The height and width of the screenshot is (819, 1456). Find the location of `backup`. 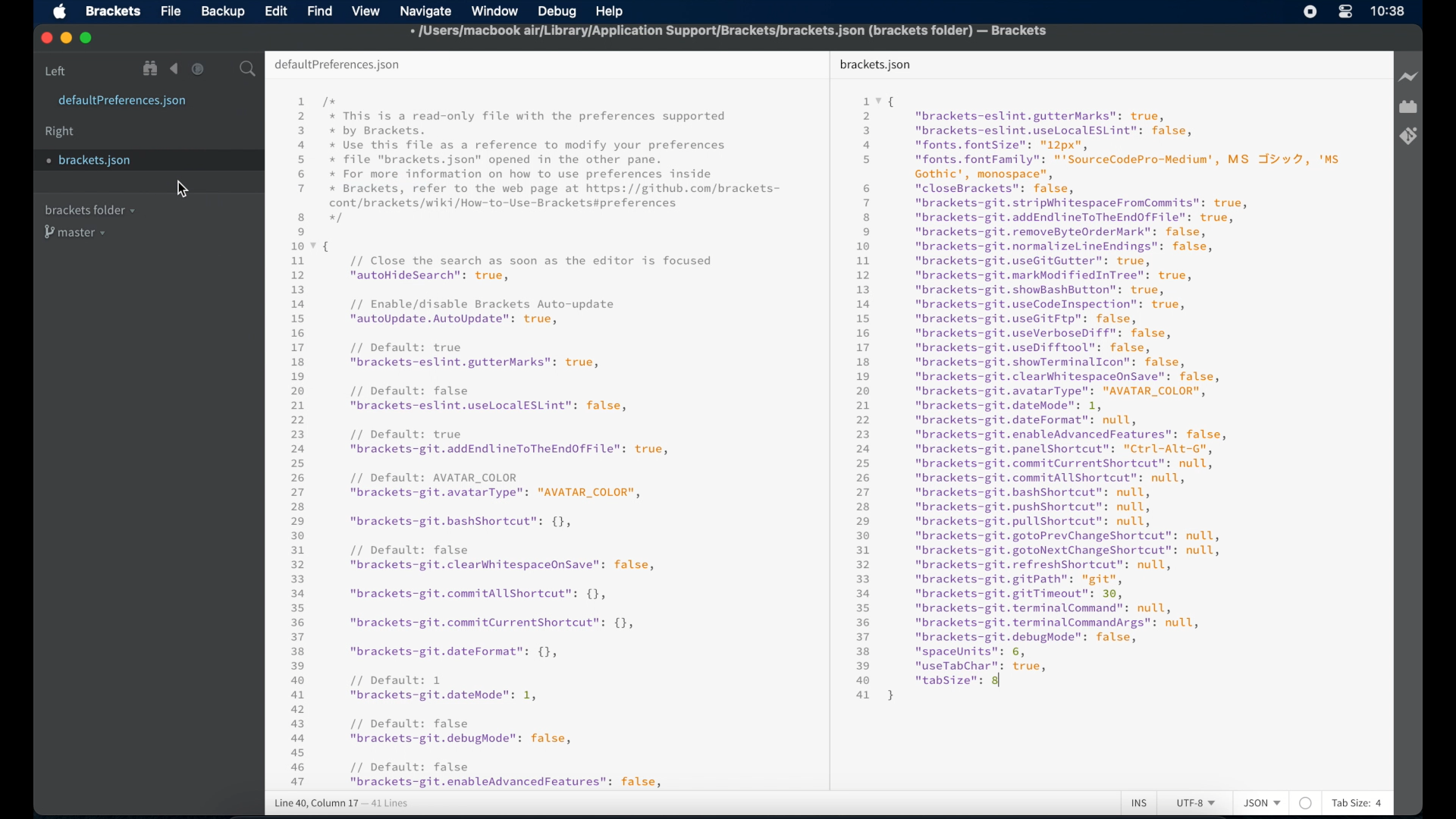

backup is located at coordinates (223, 11).